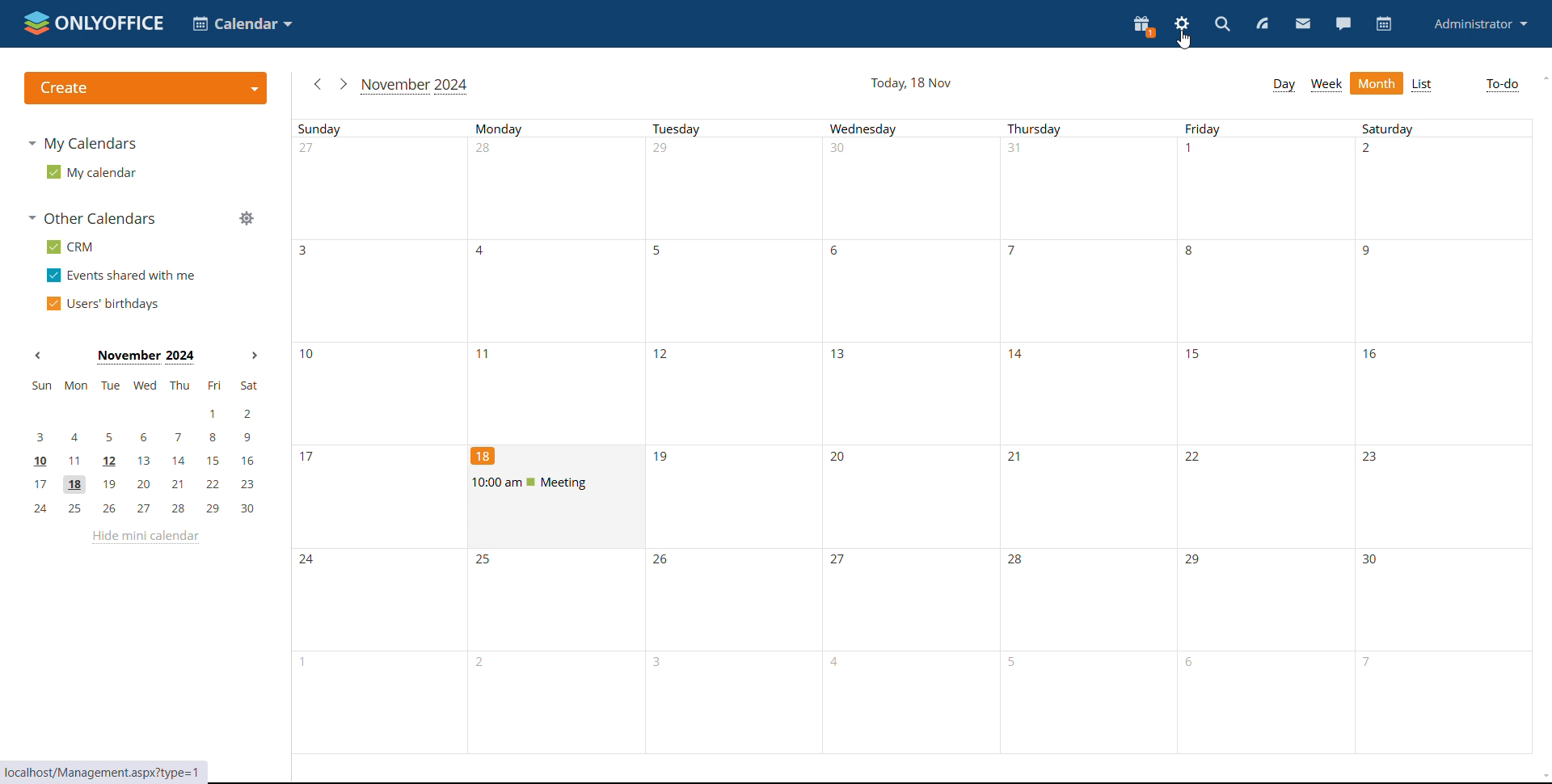  I want to click on Sunday, so click(382, 436).